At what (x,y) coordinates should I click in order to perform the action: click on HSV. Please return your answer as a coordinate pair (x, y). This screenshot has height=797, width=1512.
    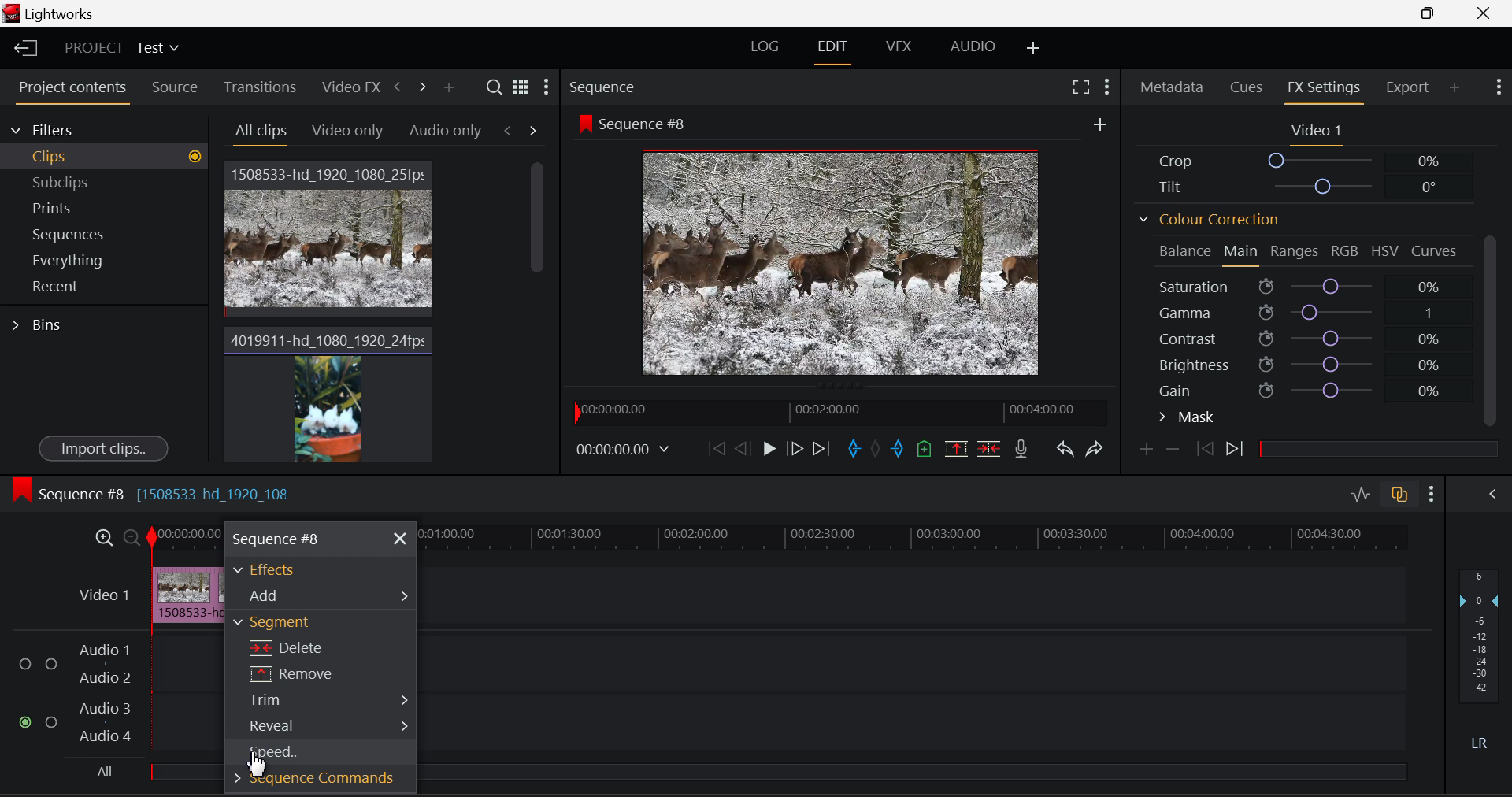
    Looking at the image, I should click on (1385, 252).